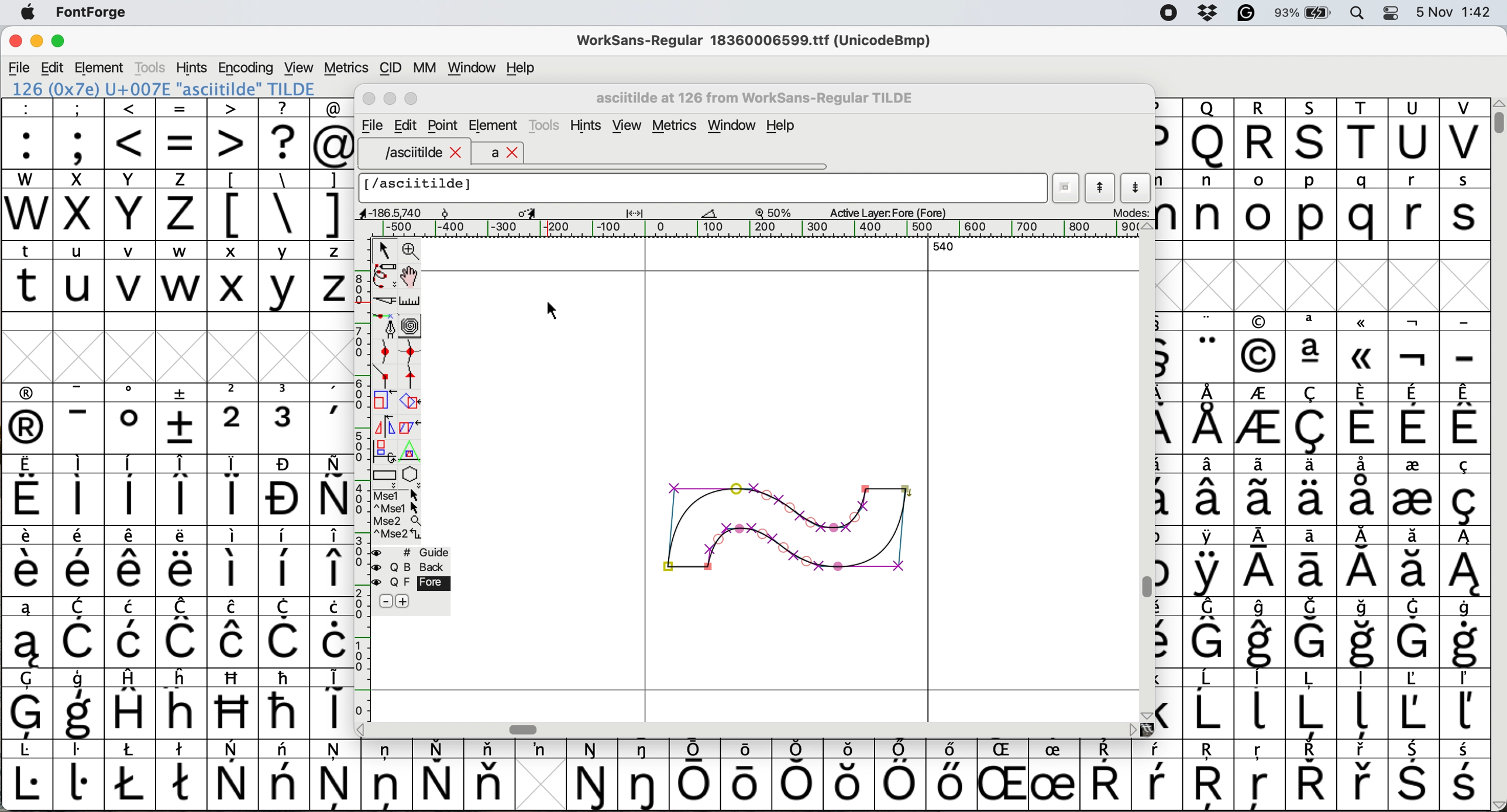  Describe the element at coordinates (1209, 348) in the screenshot. I see `symbol` at that location.